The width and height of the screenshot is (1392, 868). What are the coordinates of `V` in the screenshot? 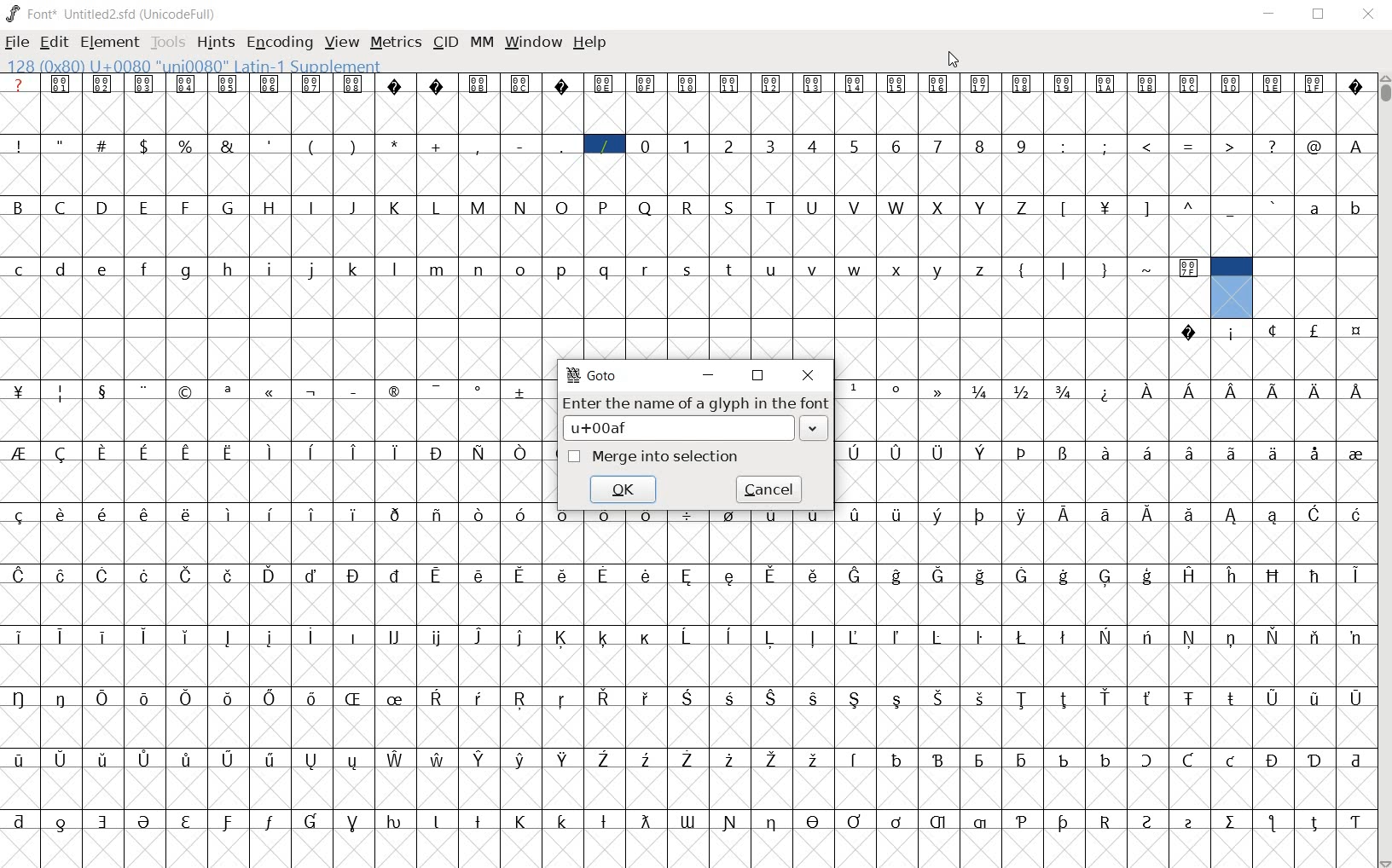 It's located at (859, 206).